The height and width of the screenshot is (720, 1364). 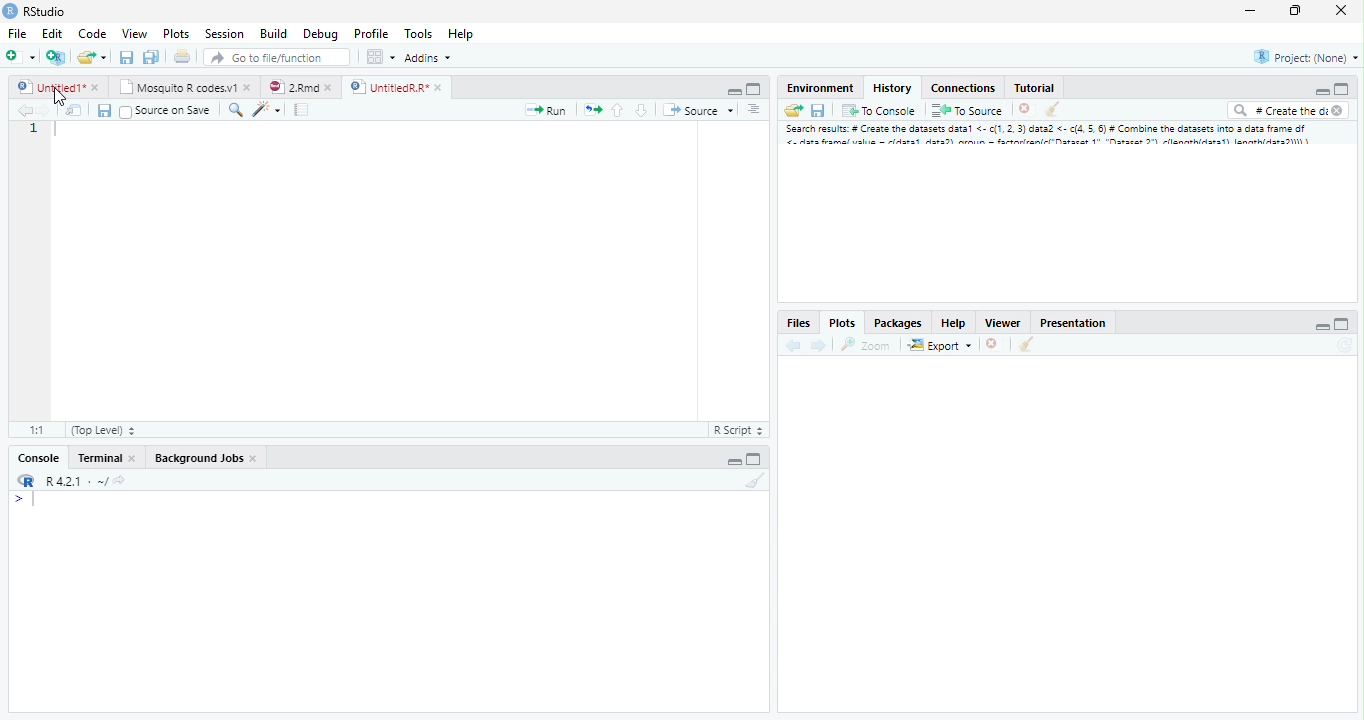 I want to click on Connections, so click(x=964, y=88).